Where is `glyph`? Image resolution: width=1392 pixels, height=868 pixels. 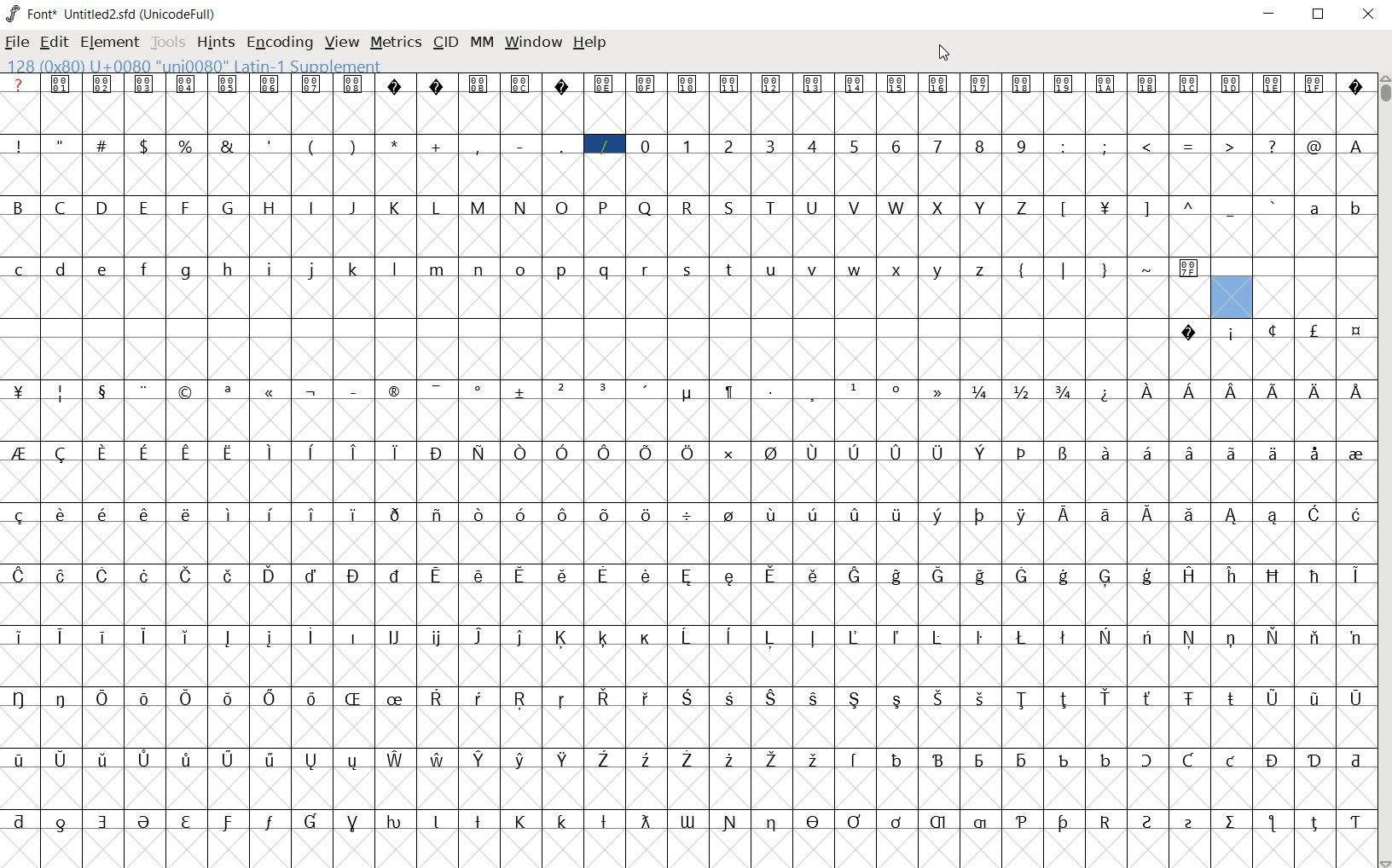
glyph is located at coordinates (731, 393).